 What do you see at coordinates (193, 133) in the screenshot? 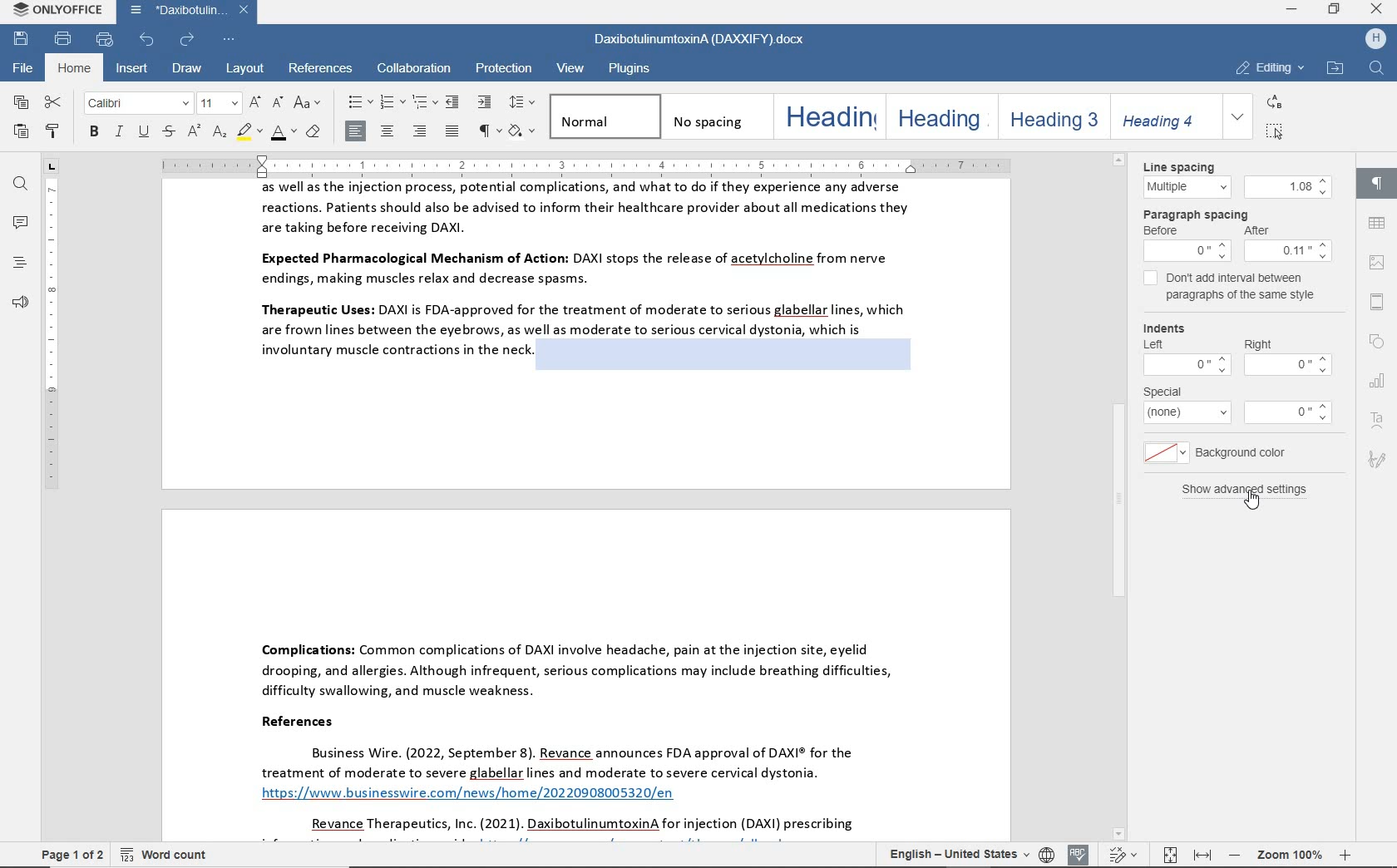
I see `superscript` at bounding box center [193, 133].